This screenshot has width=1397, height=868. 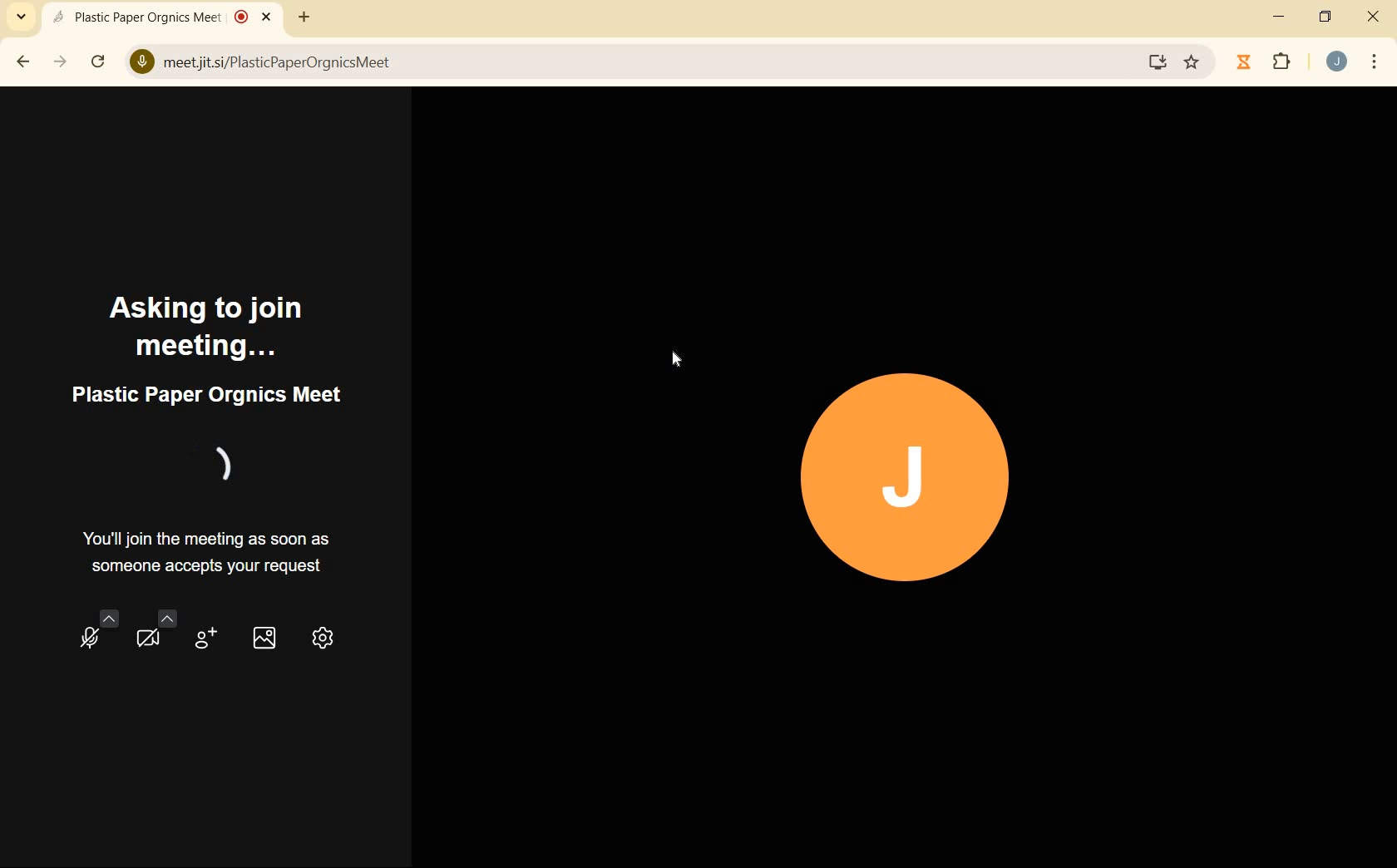 What do you see at coordinates (150, 635) in the screenshot?
I see `video` at bounding box center [150, 635].